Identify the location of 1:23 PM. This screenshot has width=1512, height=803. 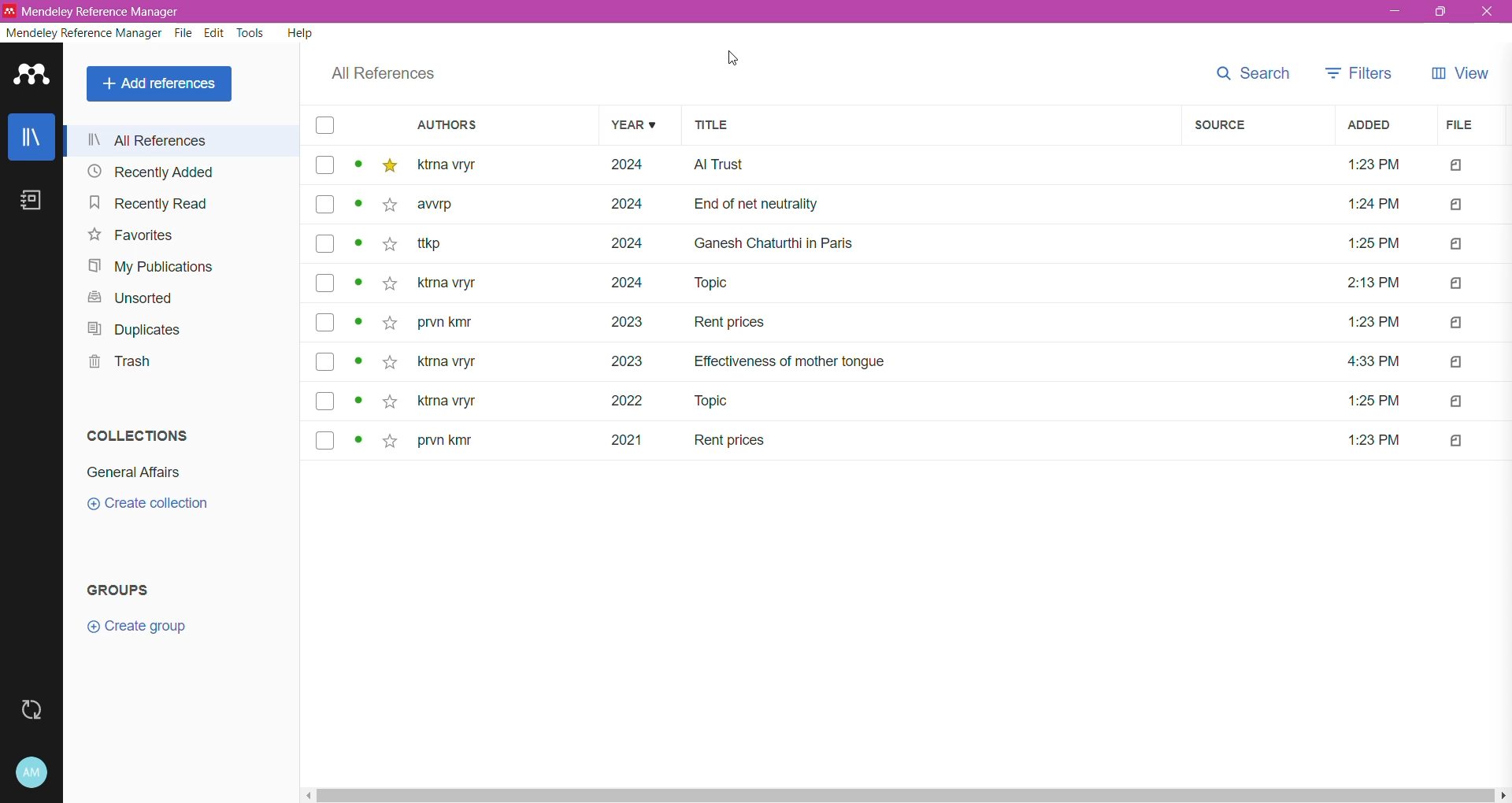
(1377, 439).